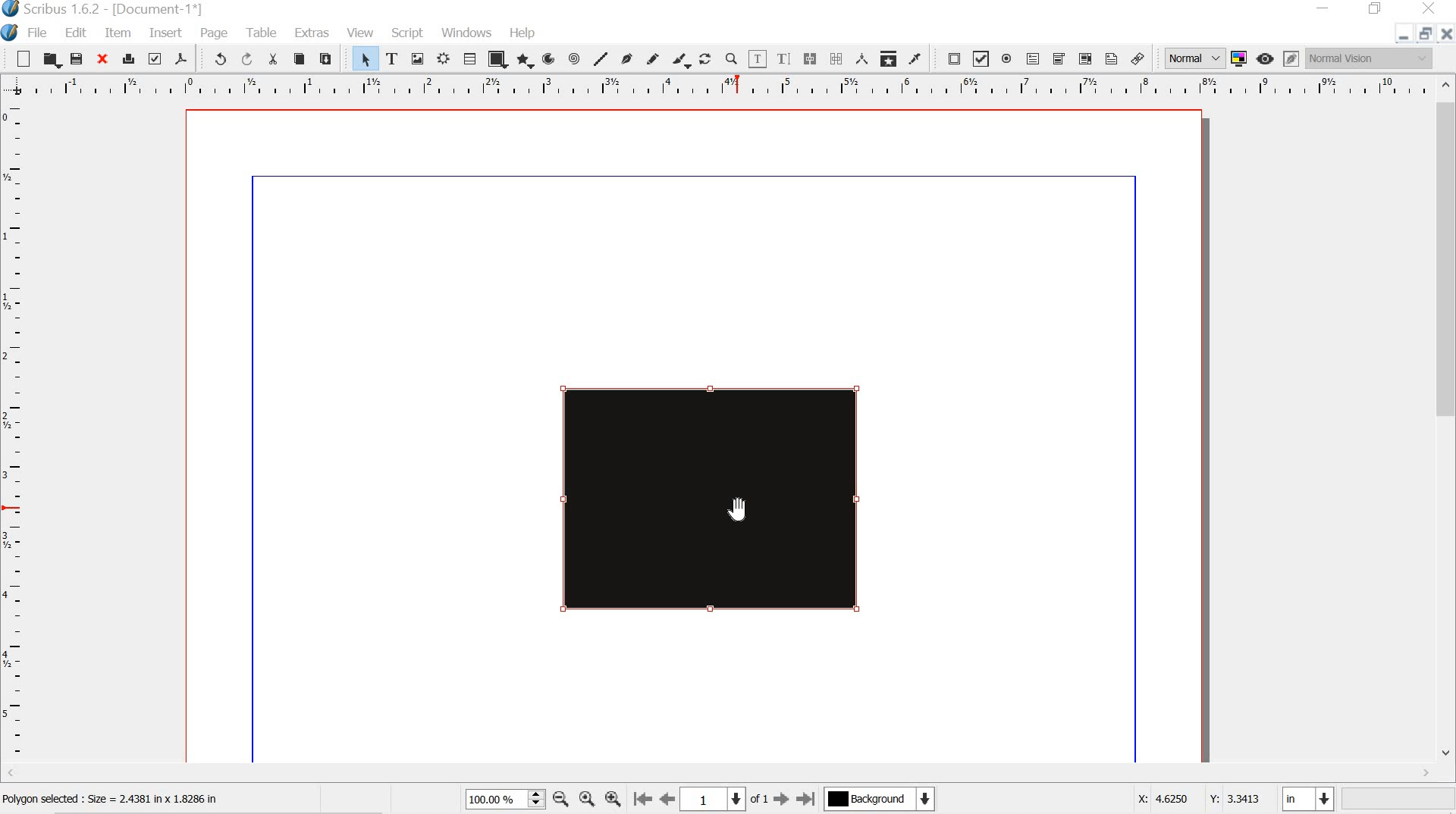  Describe the element at coordinates (525, 62) in the screenshot. I see `polygon` at that location.